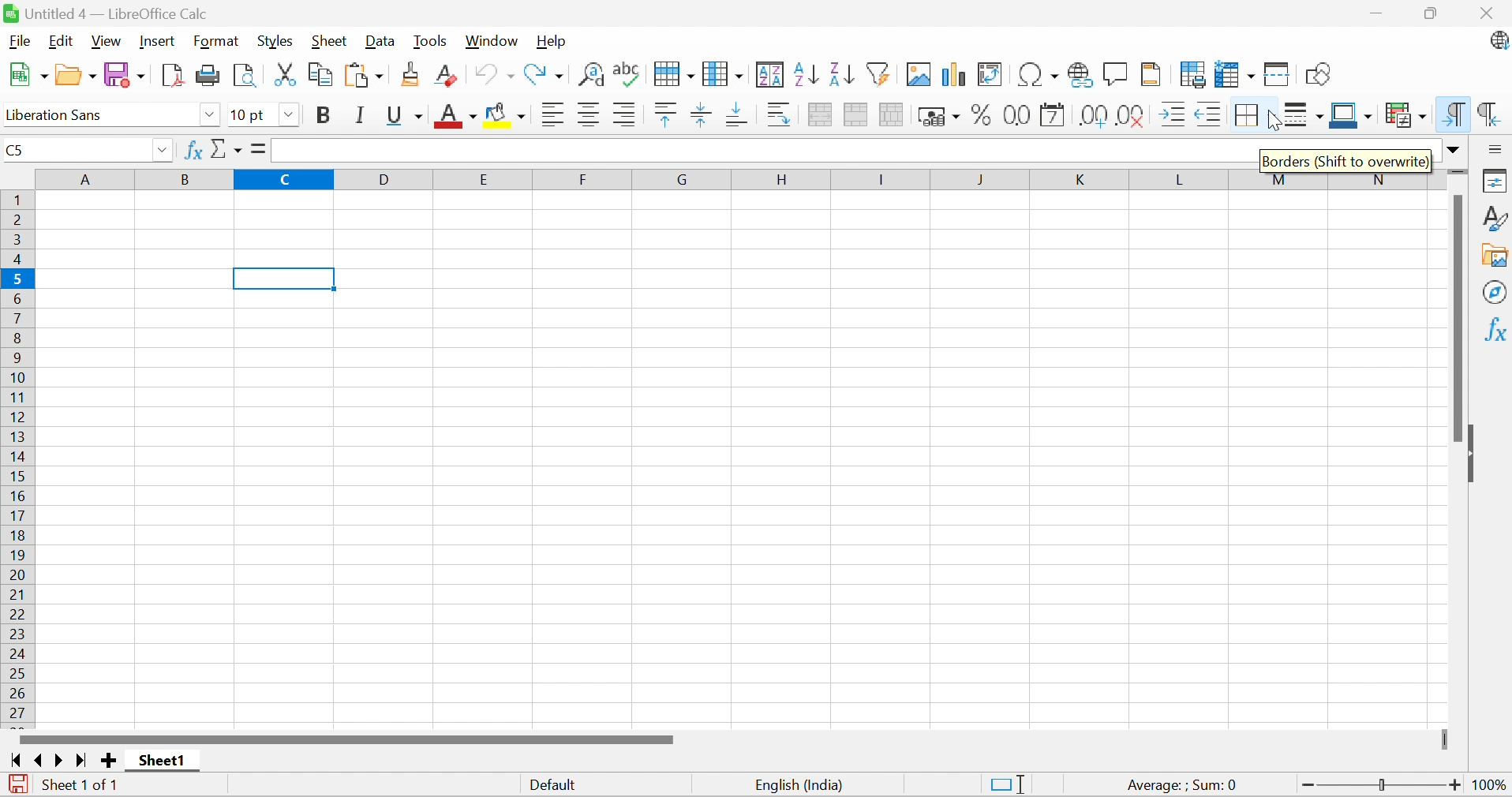  What do you see at coordinates (1383, 786) in the screenshot?
I see `Slider` at bounding box center [1383, 786].